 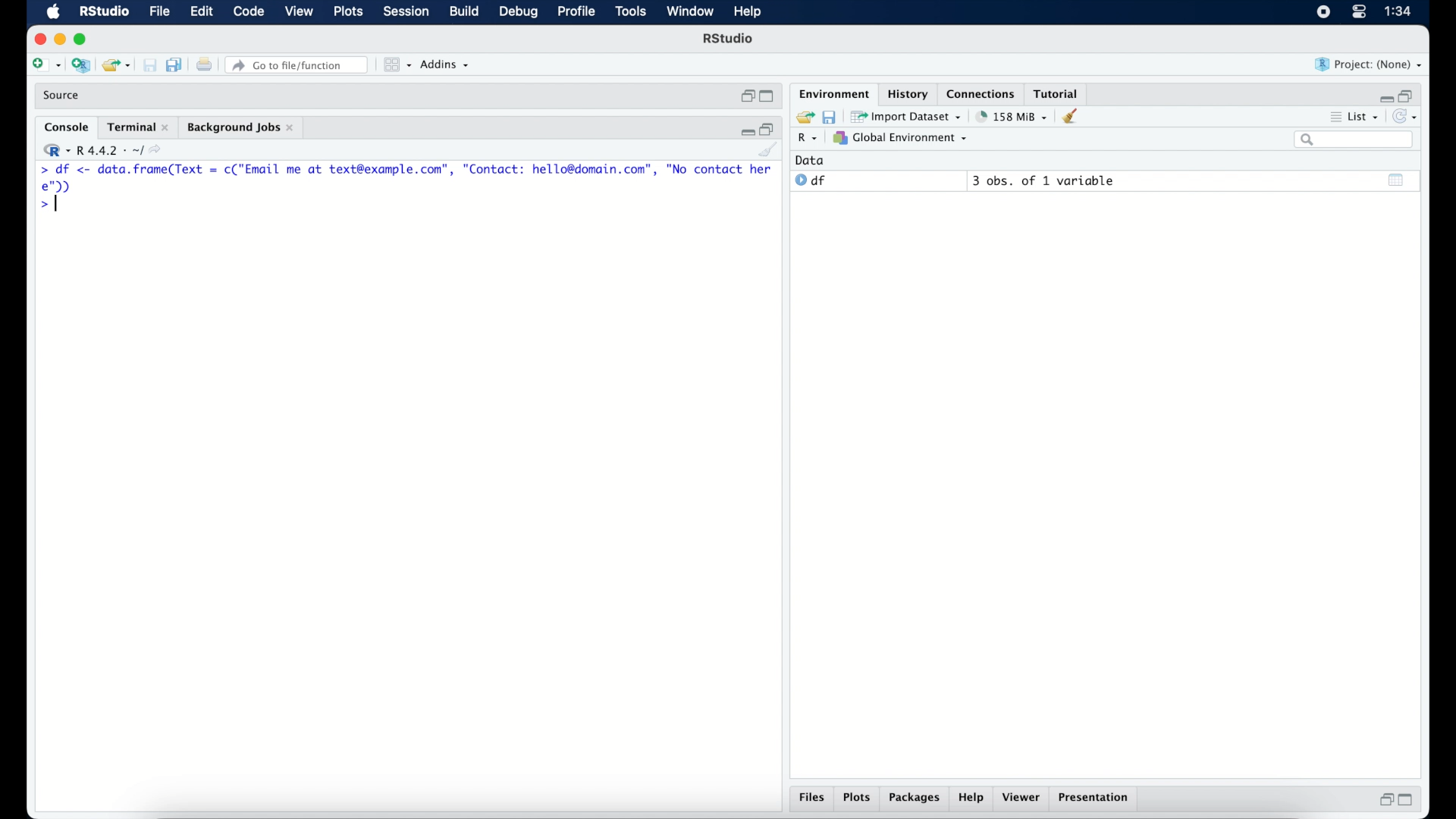 What do you see at coordinates (37, 37) in the screenshot?
I see `close` at bounding box center [37, 37].